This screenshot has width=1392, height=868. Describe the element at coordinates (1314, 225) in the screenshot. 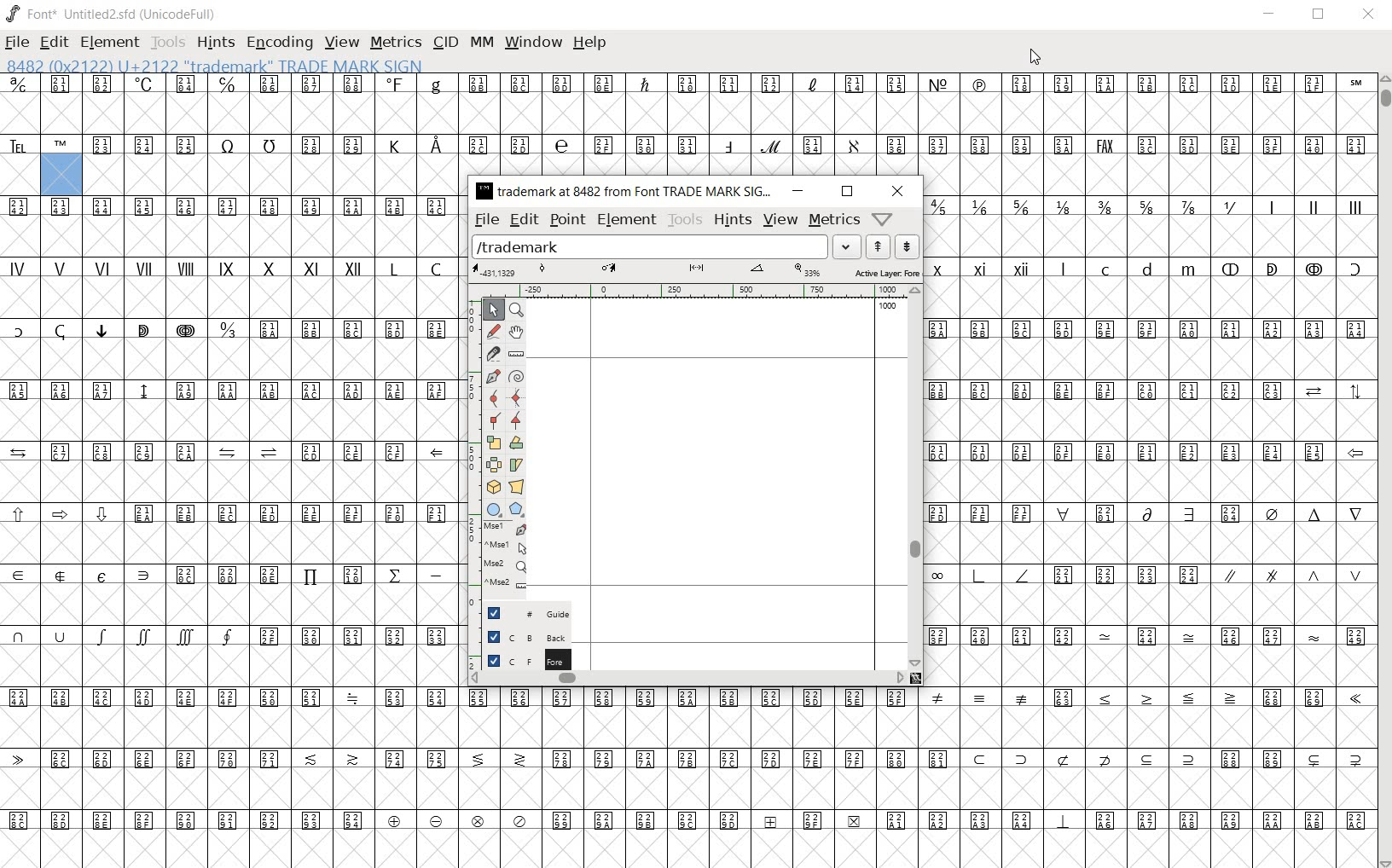

I see `roman characters` at that location.